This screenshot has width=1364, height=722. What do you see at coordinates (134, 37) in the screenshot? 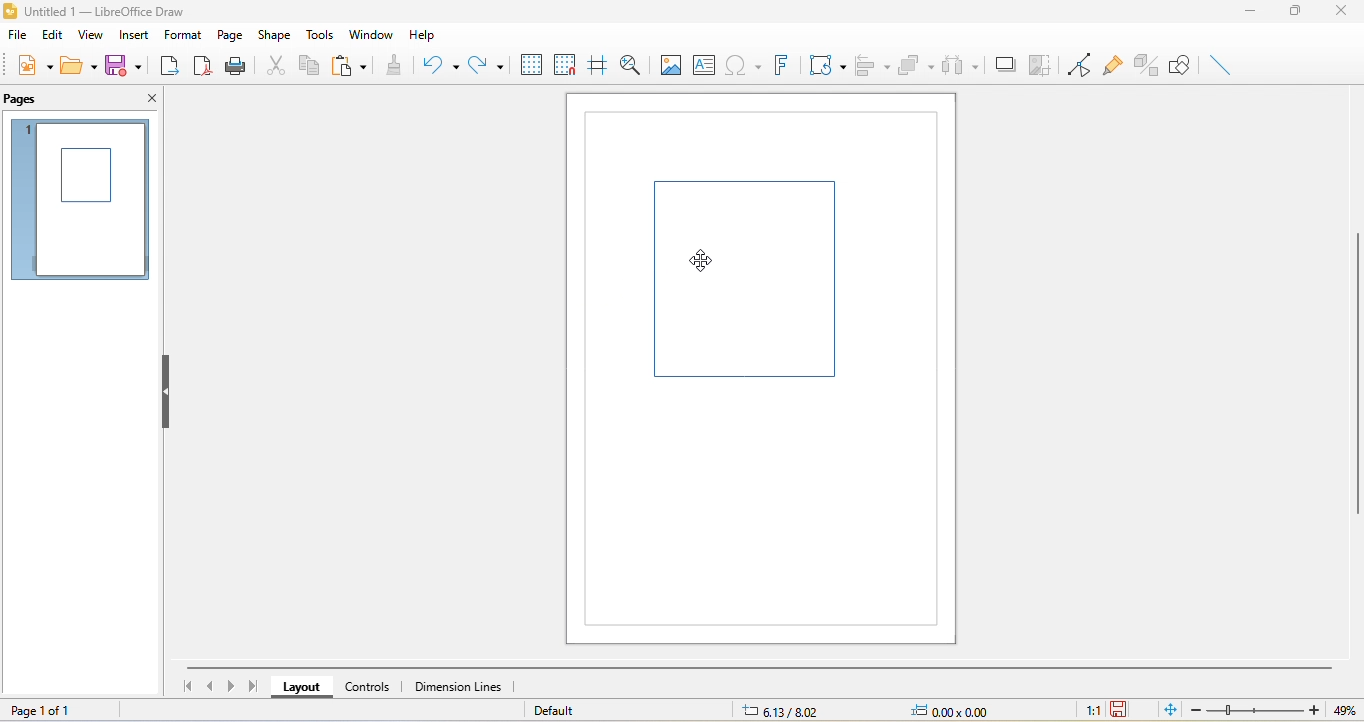
I see `insert` at bounding box center [134, 37].